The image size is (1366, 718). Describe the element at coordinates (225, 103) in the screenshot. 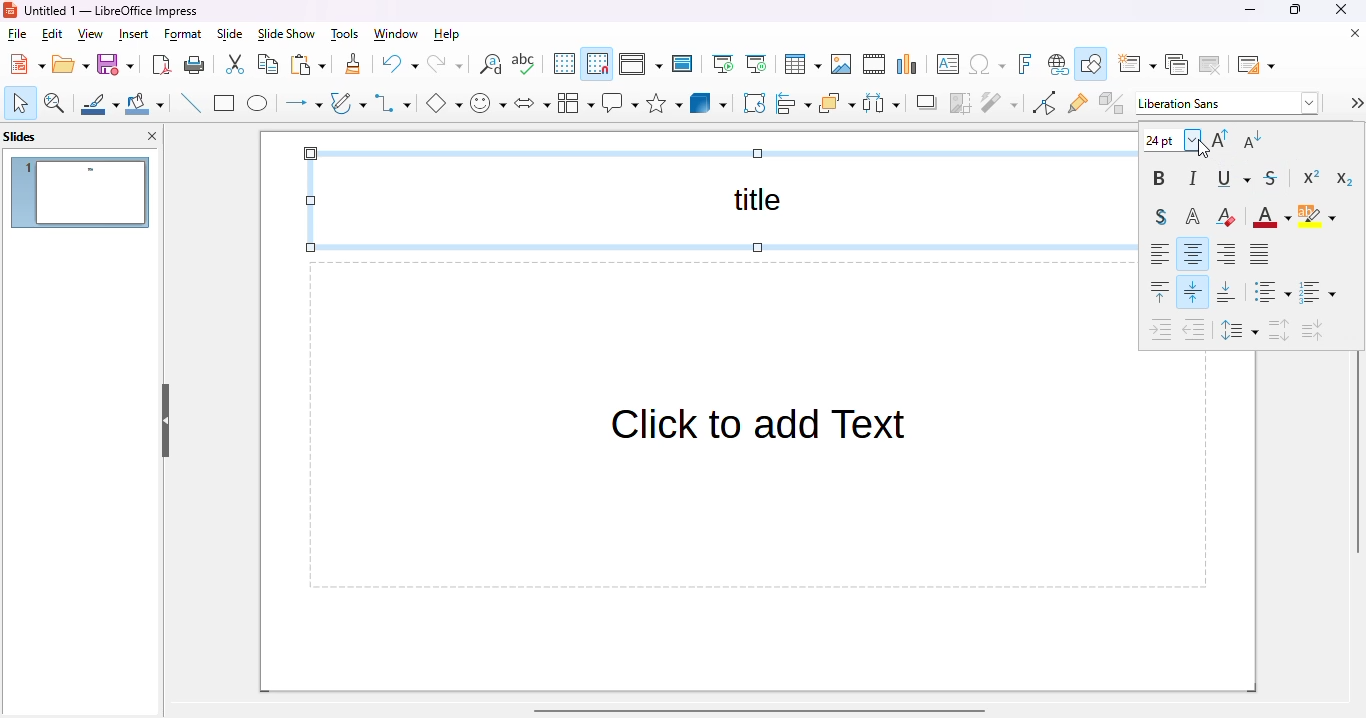

I see `rectangle` at that location.